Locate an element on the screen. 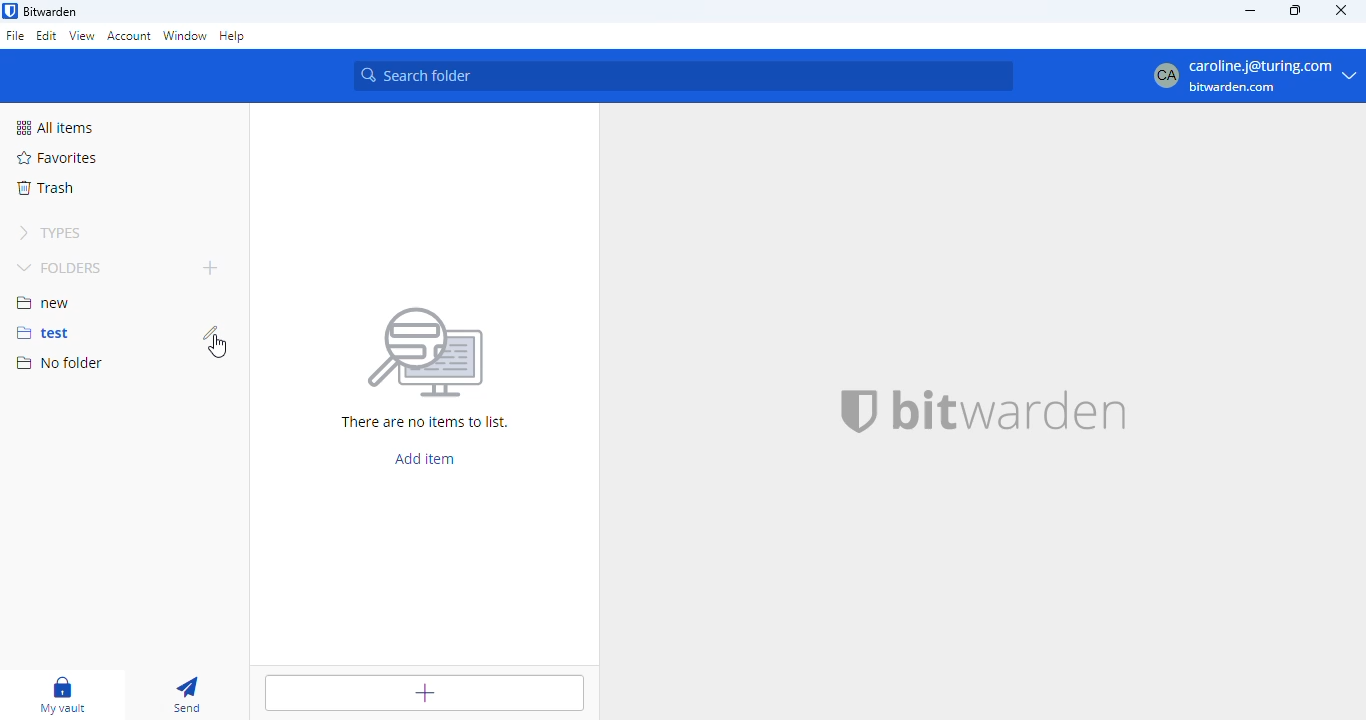 This screenshot has width=1366, height=720. Searching for file vector  is located at coordinates (426, 353).